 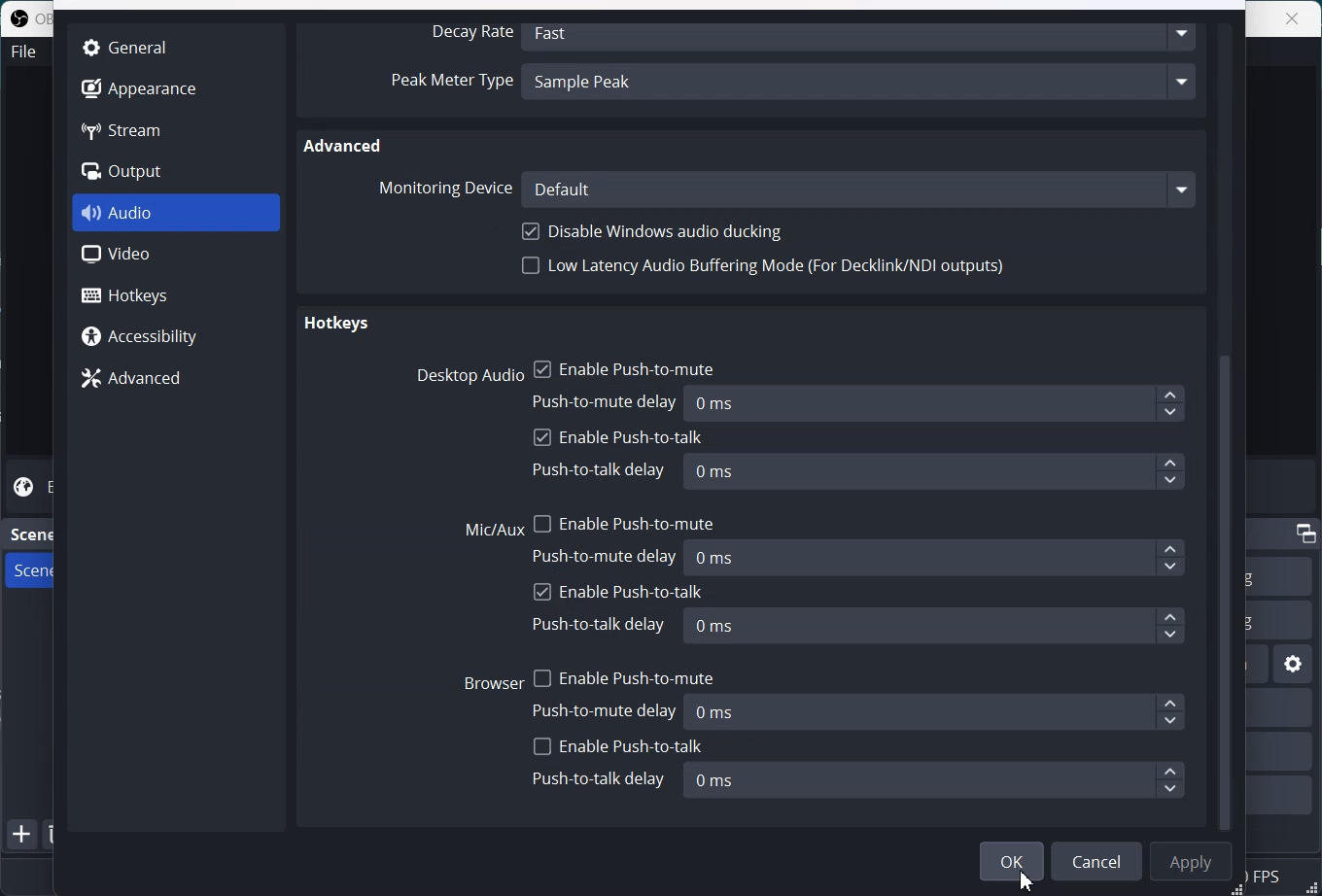 I want to click on 0 ms, so click(x=934, y=471).